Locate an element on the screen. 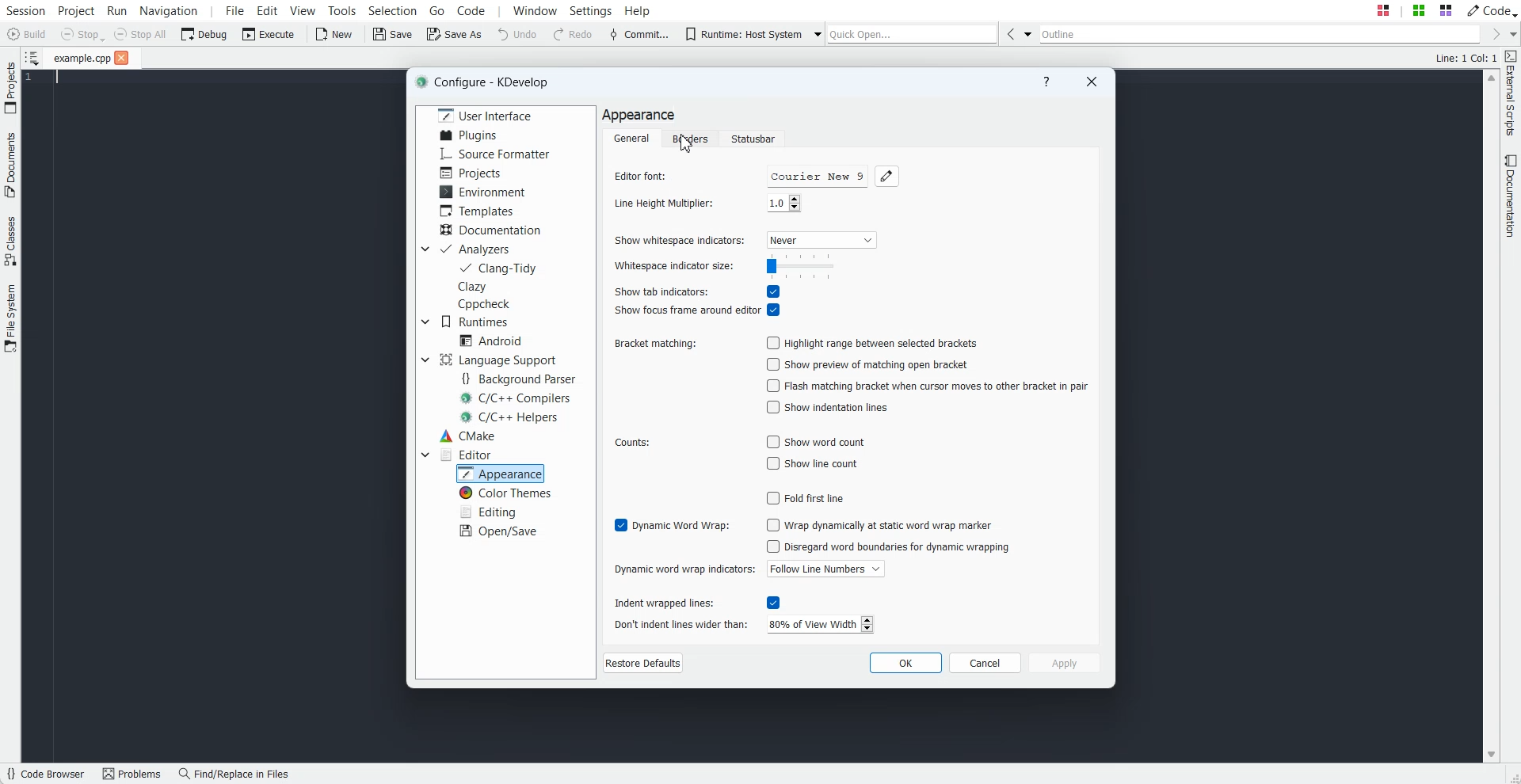 This screenshot has height=784, width=1521. Disable show line count is located at coordinates (818, 462).